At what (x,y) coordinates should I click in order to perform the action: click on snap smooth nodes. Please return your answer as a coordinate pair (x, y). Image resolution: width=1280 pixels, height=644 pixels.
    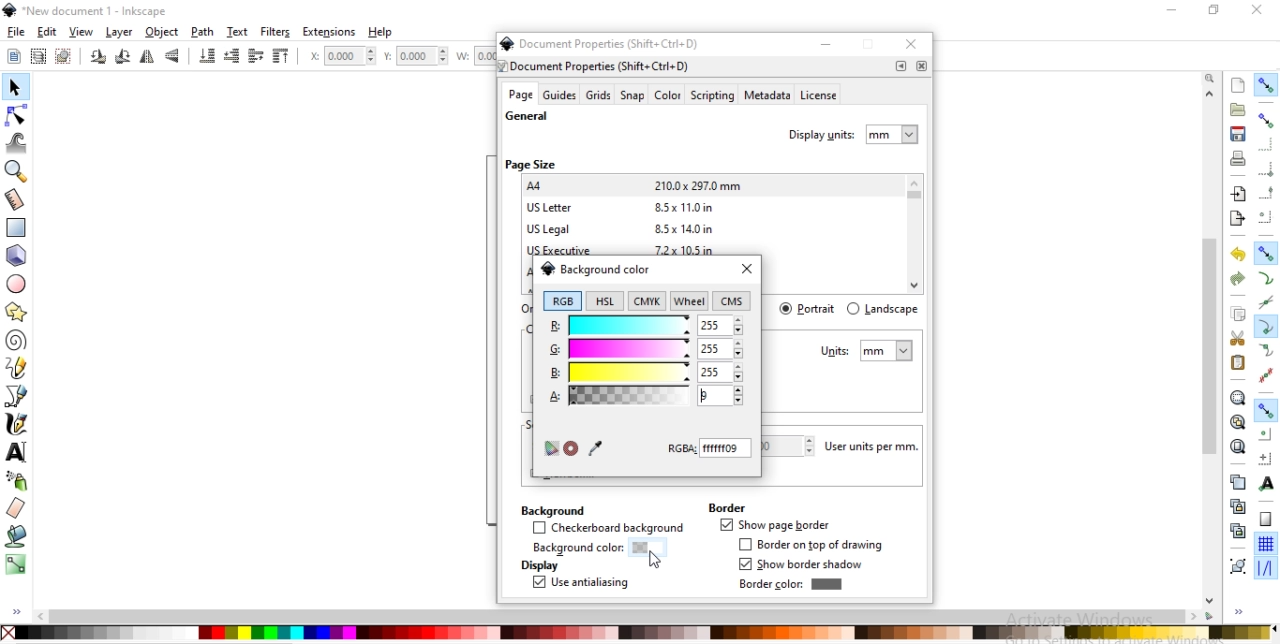
    Looking at the image, I should click on (1264, 351).